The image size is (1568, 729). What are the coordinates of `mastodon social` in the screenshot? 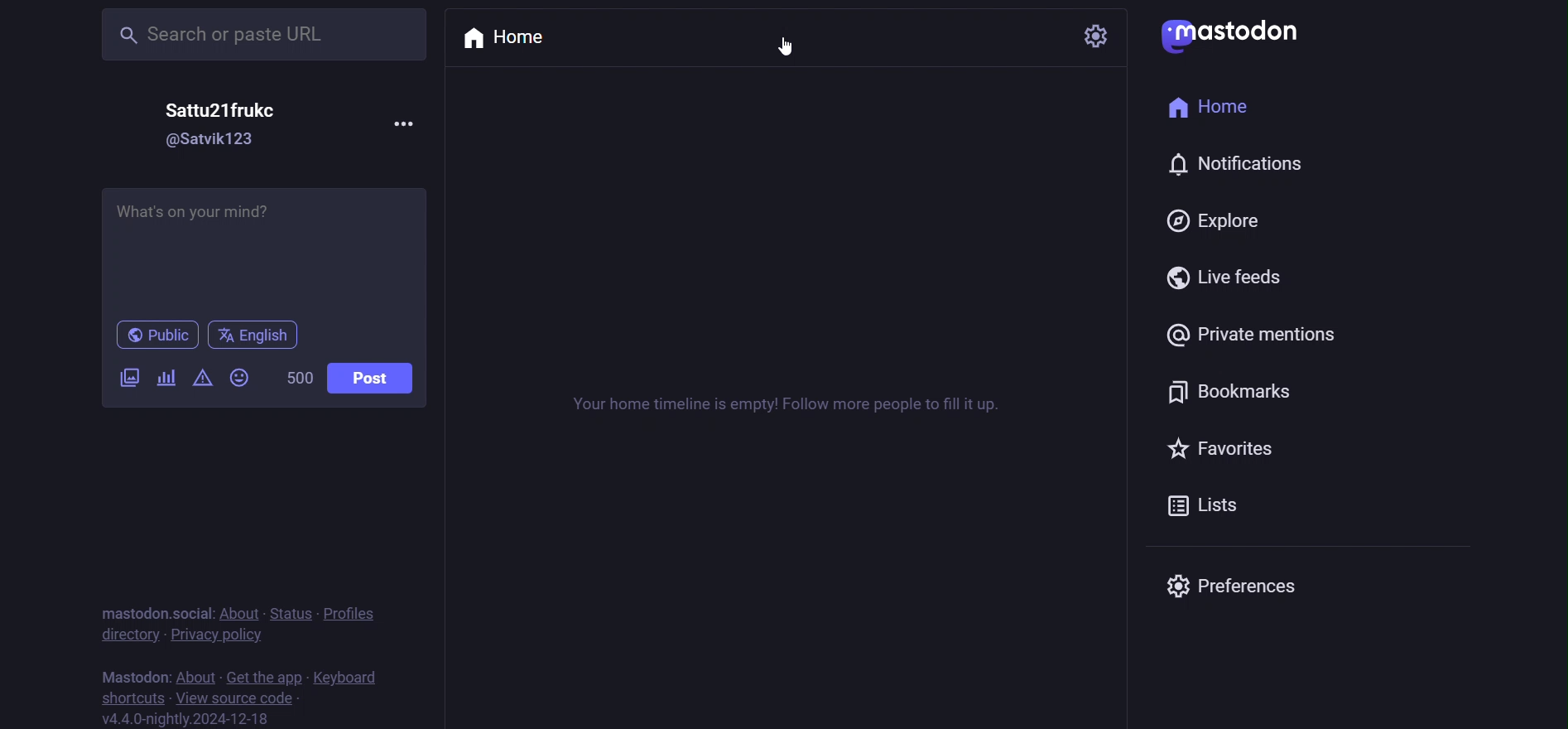 It's located at (154, 611).